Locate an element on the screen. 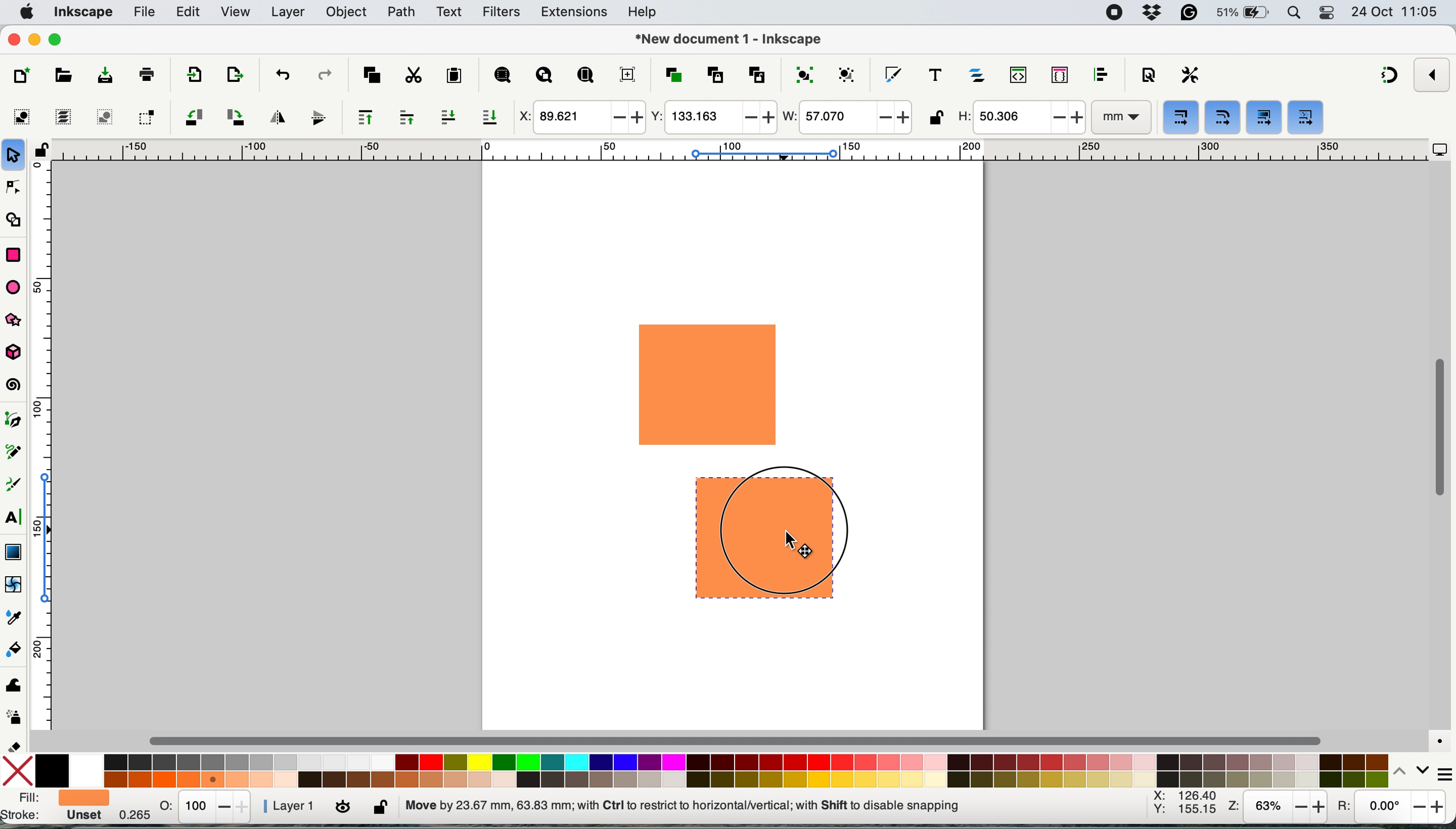 The image size is (1456, 829). x coordinate is located at coordinates (579, 118).